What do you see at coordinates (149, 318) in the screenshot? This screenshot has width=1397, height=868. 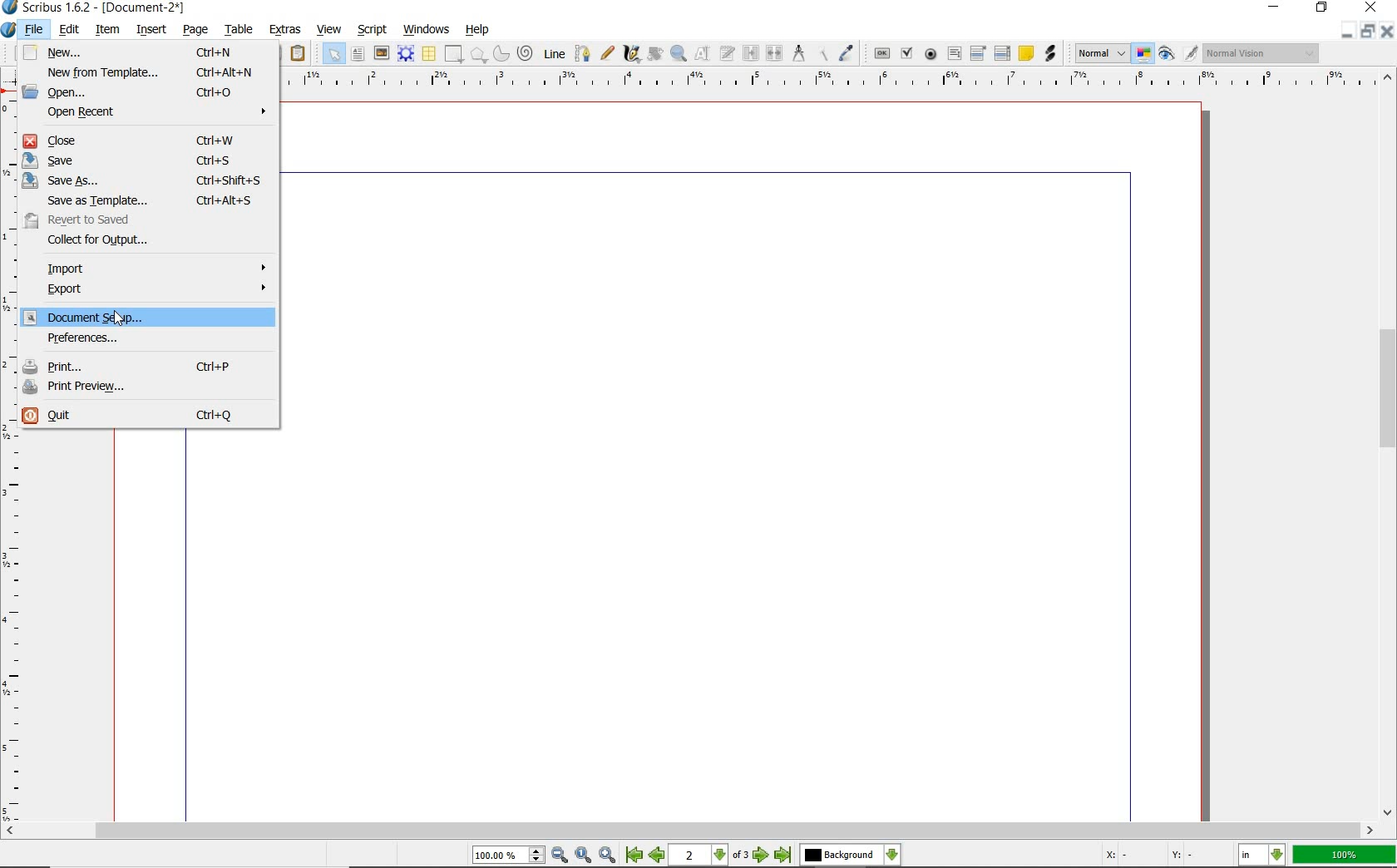 I see `document setup` at bounding box center [149, 318].